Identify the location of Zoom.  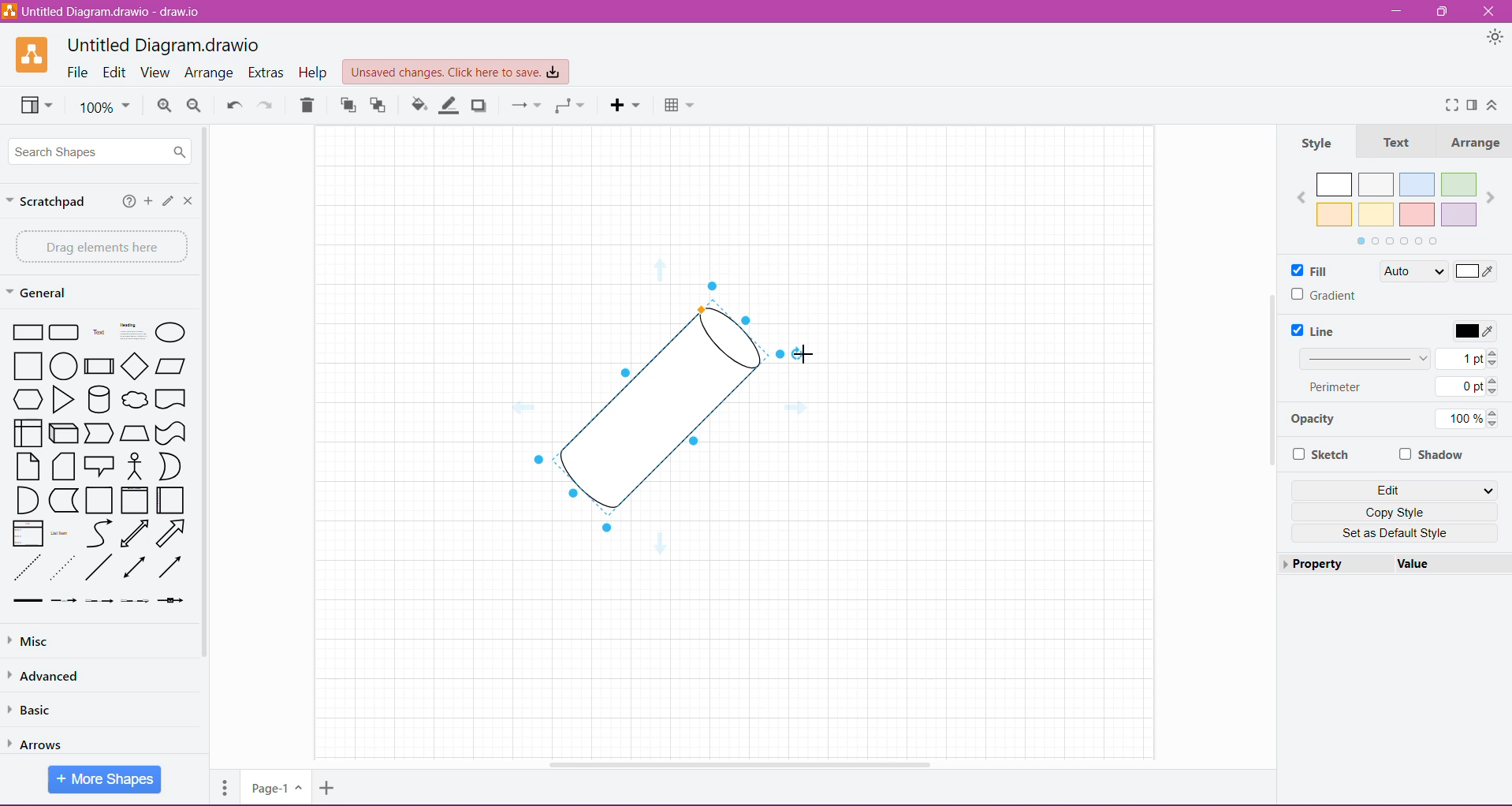
(106, 109).